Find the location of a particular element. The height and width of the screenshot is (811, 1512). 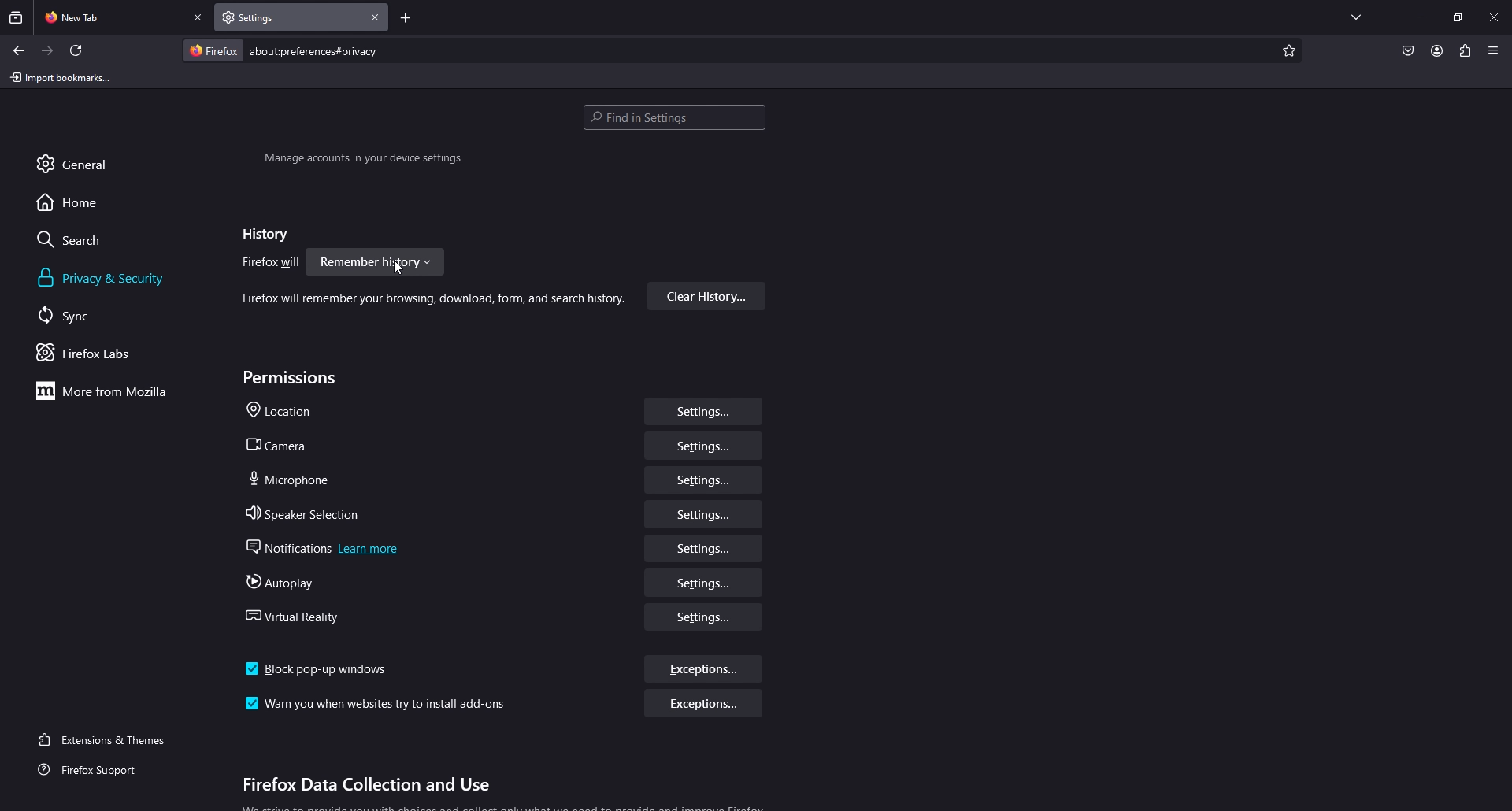

search settings is located at coordinates (674, 119).